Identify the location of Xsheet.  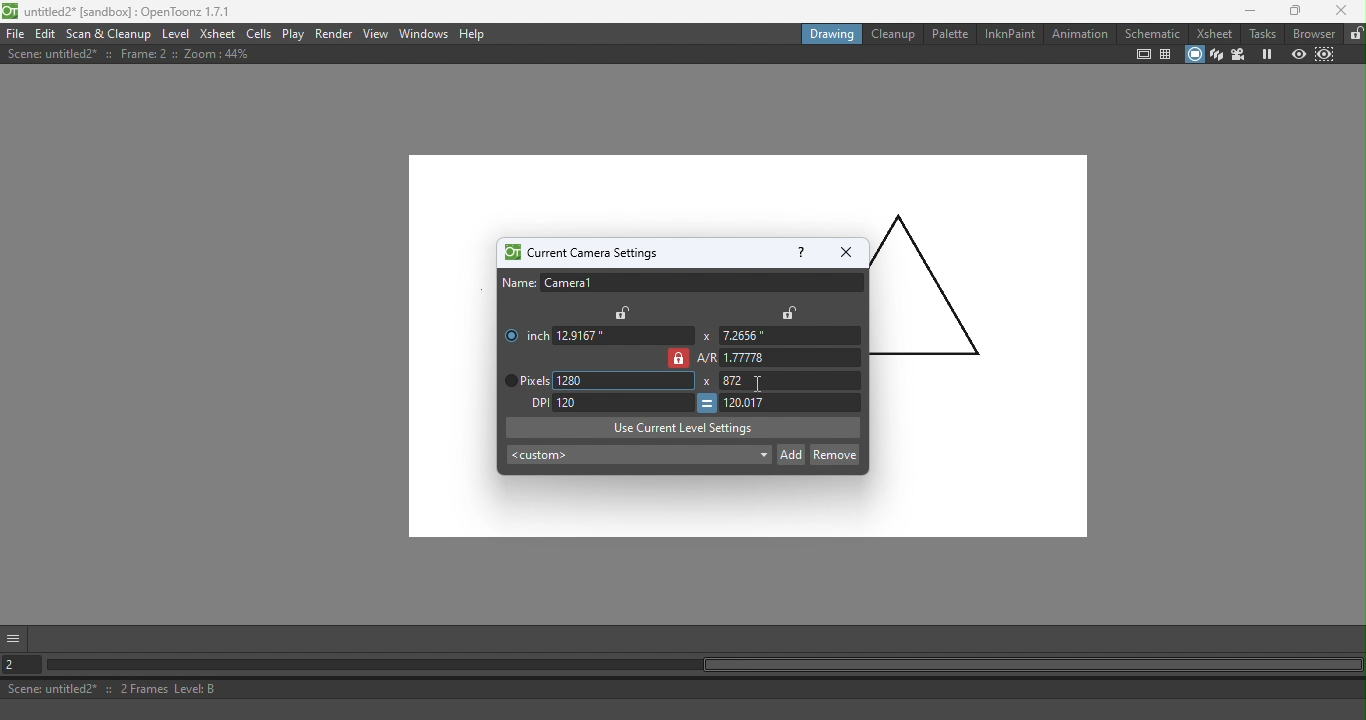
(1213, 33).